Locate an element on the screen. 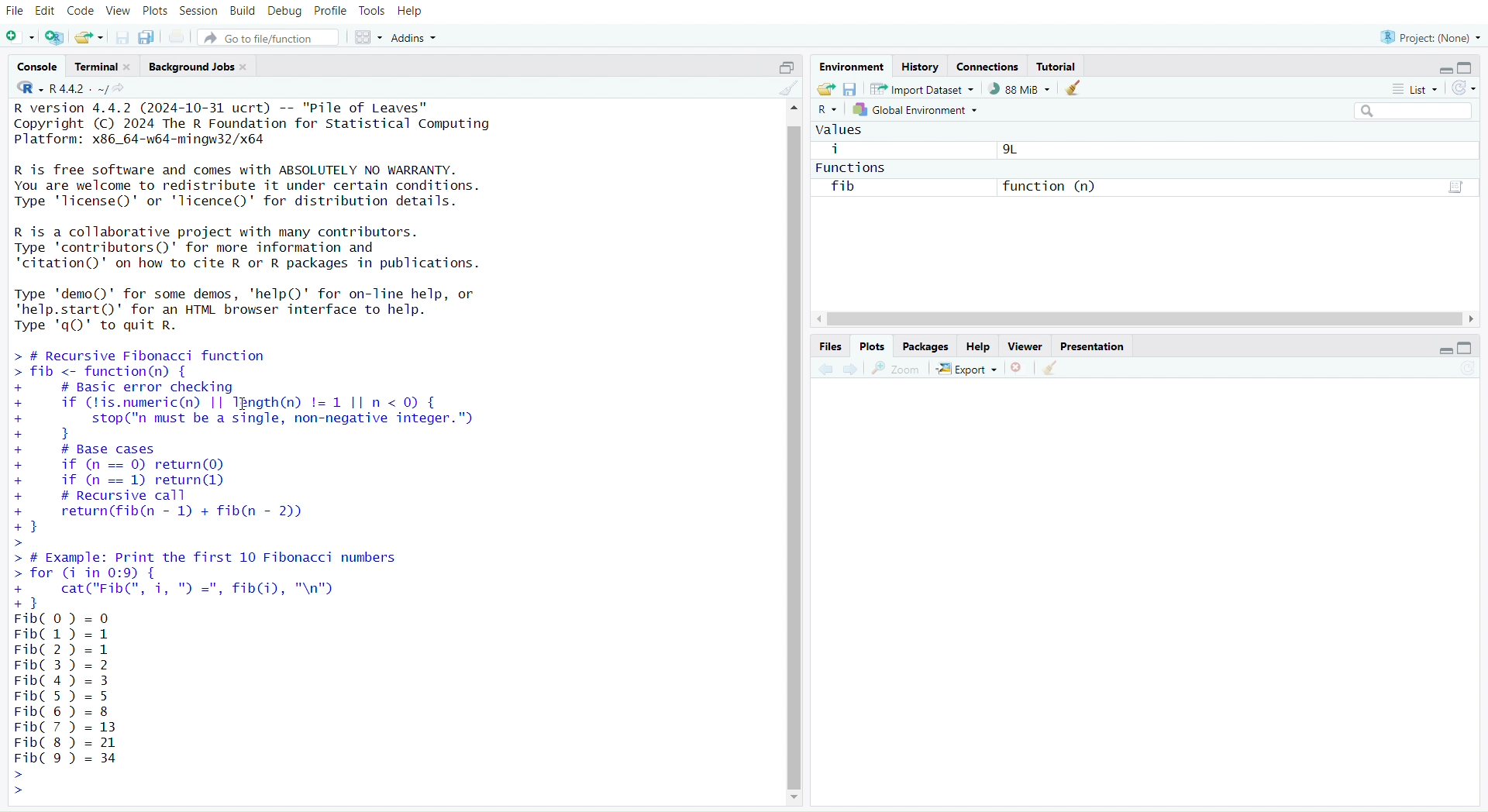 The height and width of the screenshot is (812, 1488). scrollbar is located at coordinates (1145, 319).